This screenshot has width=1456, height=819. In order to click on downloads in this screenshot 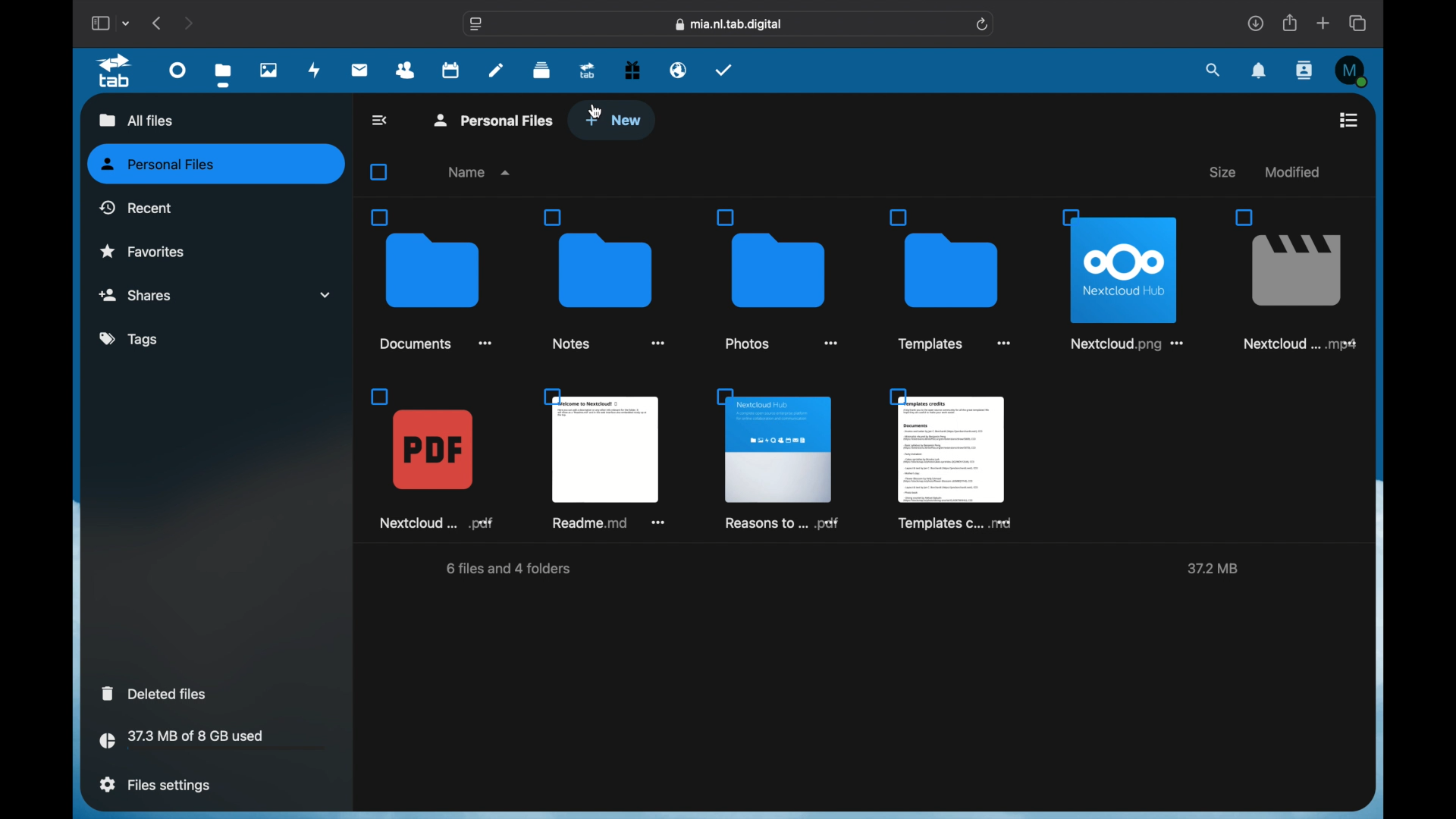, I will do `click(1255, 23)`.